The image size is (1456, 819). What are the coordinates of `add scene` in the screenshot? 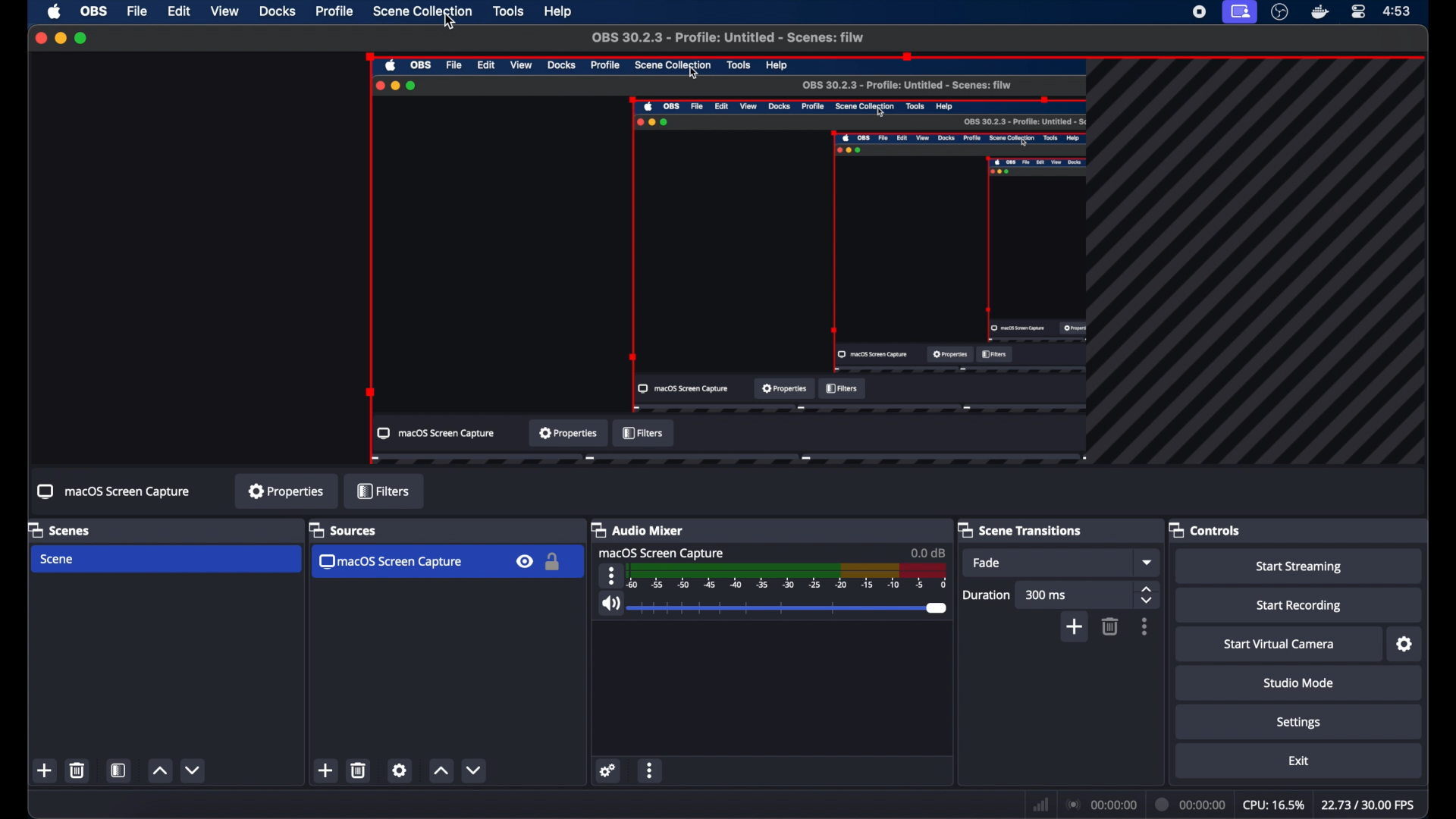 It's located at (325, 770).